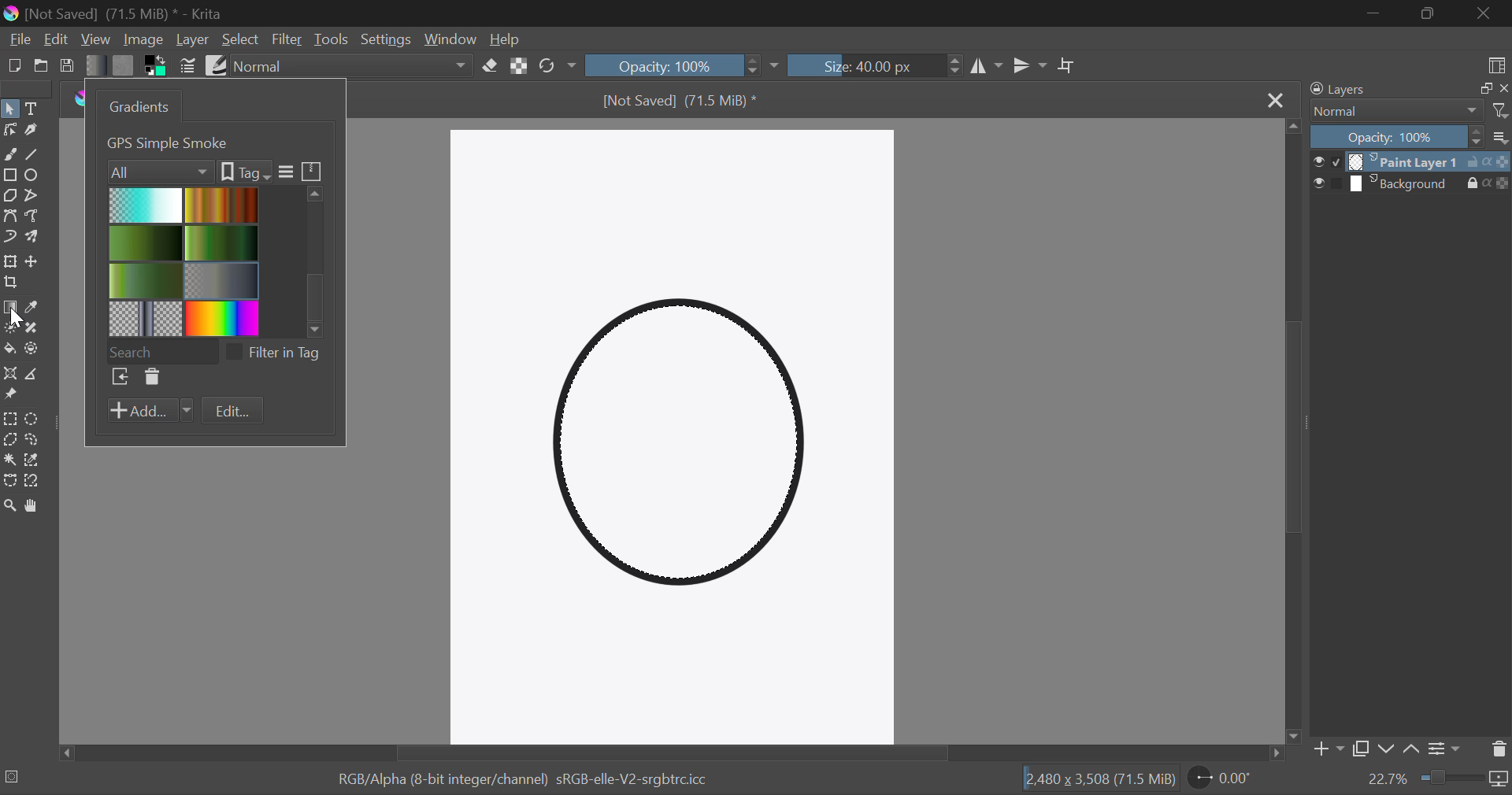 The image size is (1512, 795). I want to click on Add, so click(151, 410).